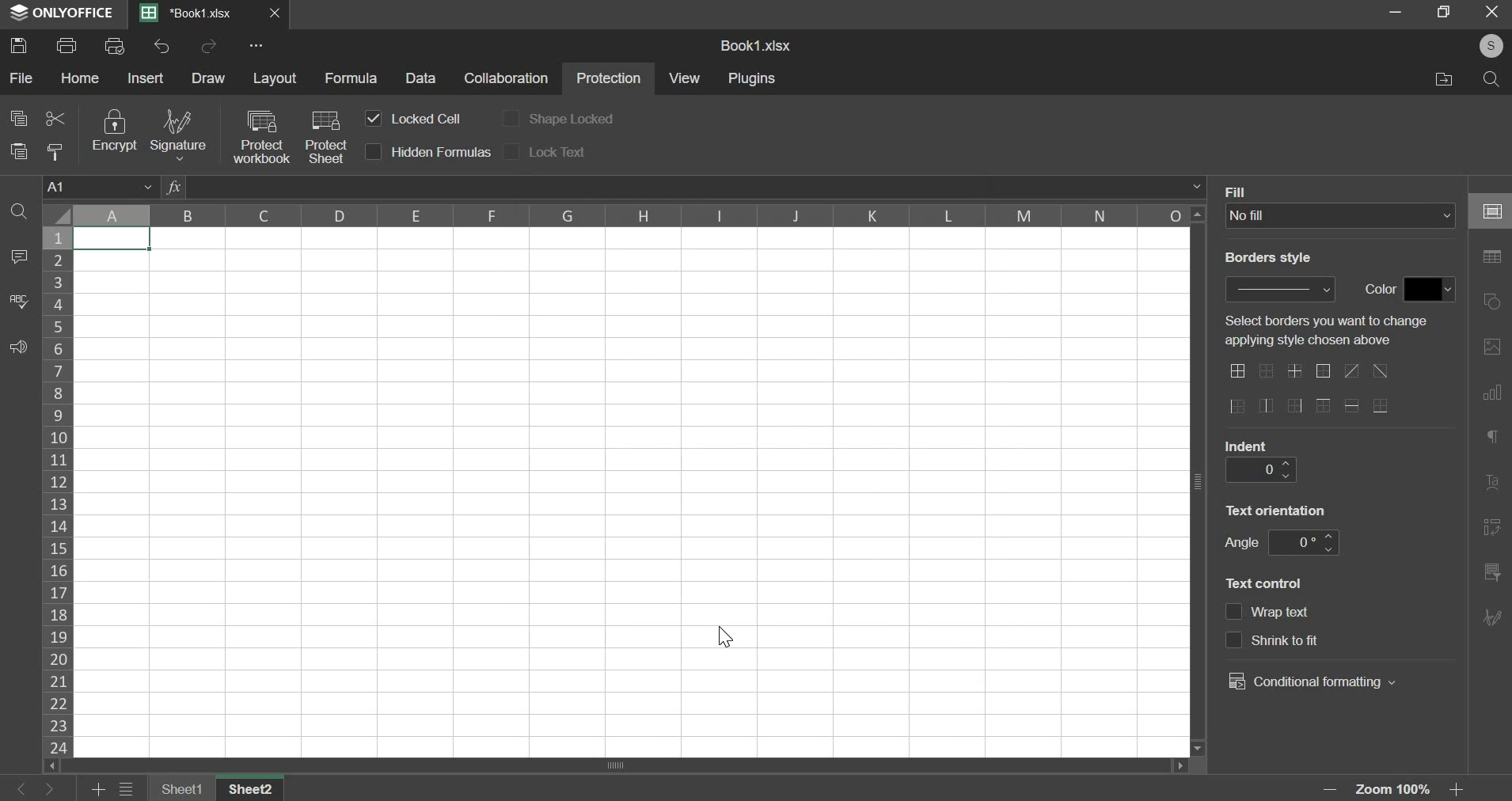 This screenshot has height=801, width=1512. I want to click on Search, so click(1492, 80).